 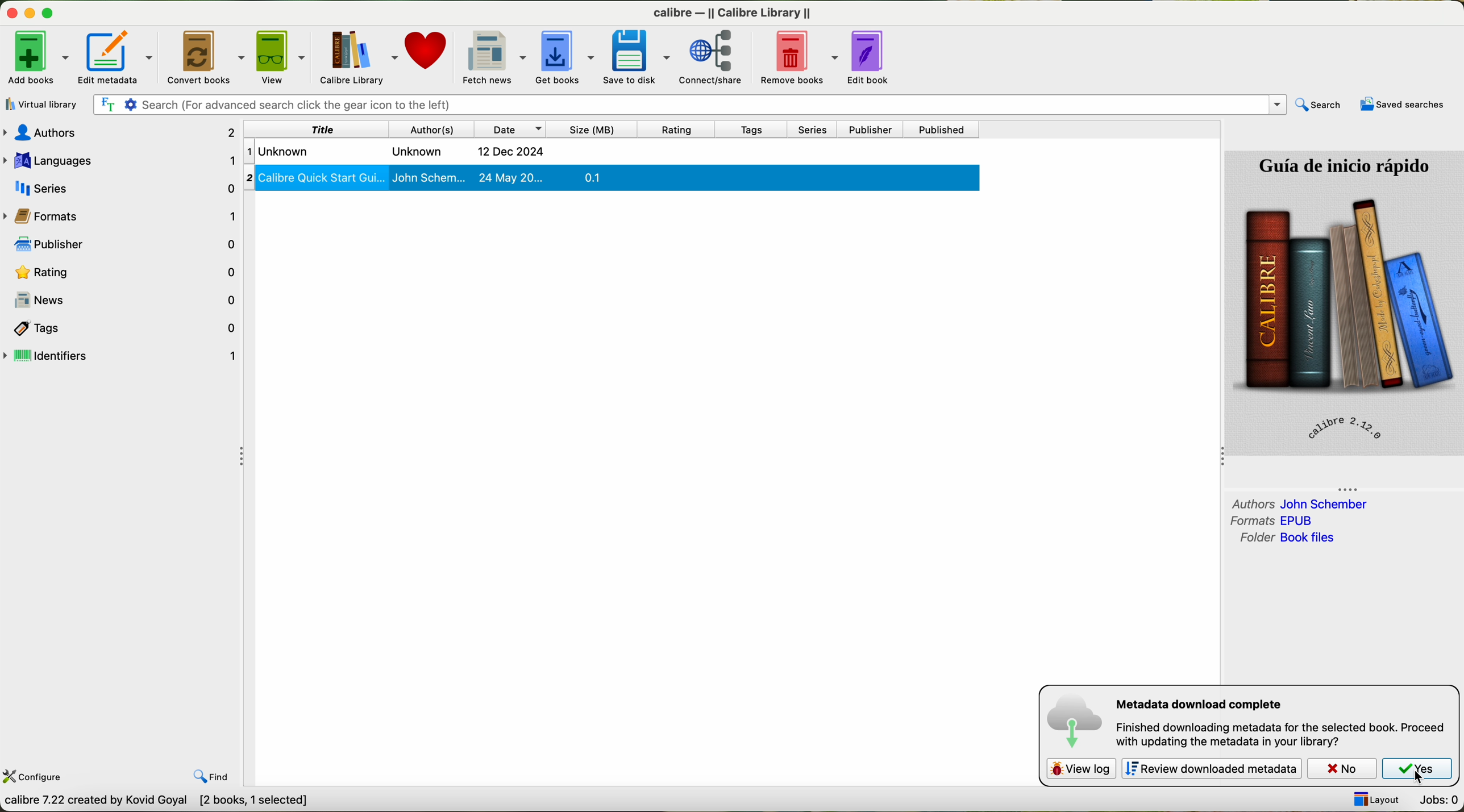 I want to click on click on yes, so click(x=1418, y=771).